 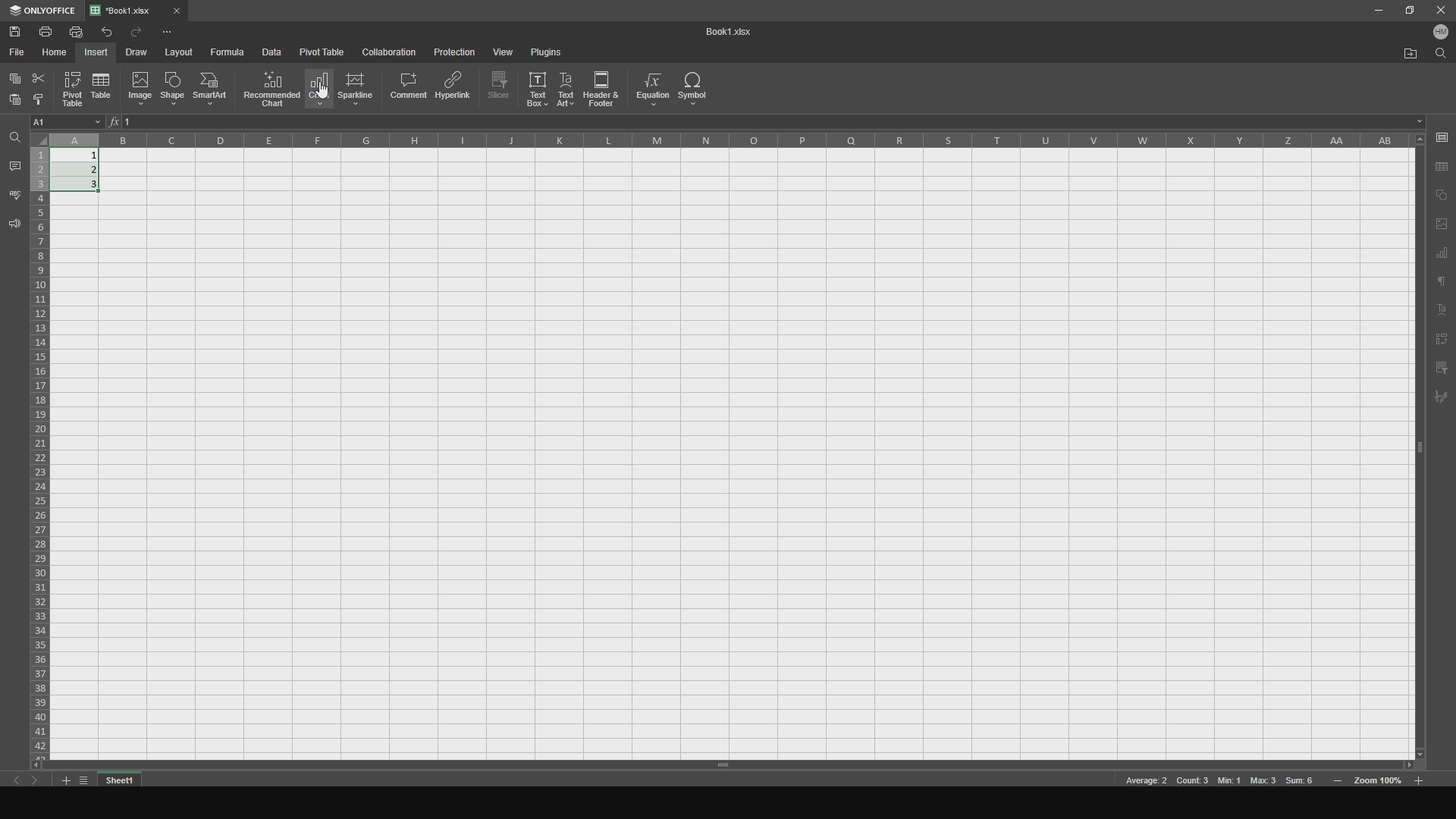 What do you see at coordinates (651, 91) in the screenshot?
I see `equation` at bounding box center [651, 91].